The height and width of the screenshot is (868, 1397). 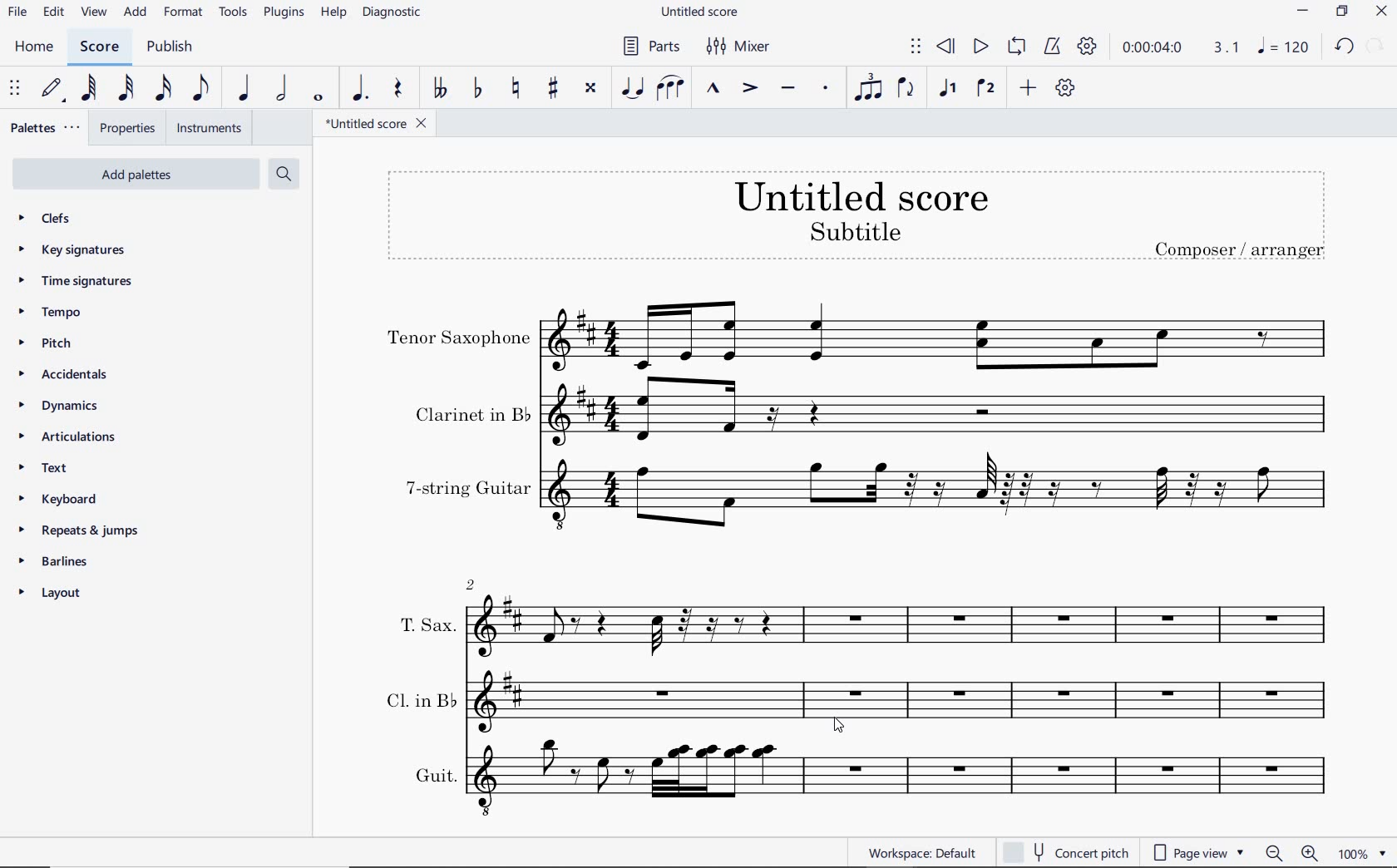 What do you see at coordinates (515, 89) in the screenshot?
I see `TOGGLE NATURAL` at bounding box center [515, 89].